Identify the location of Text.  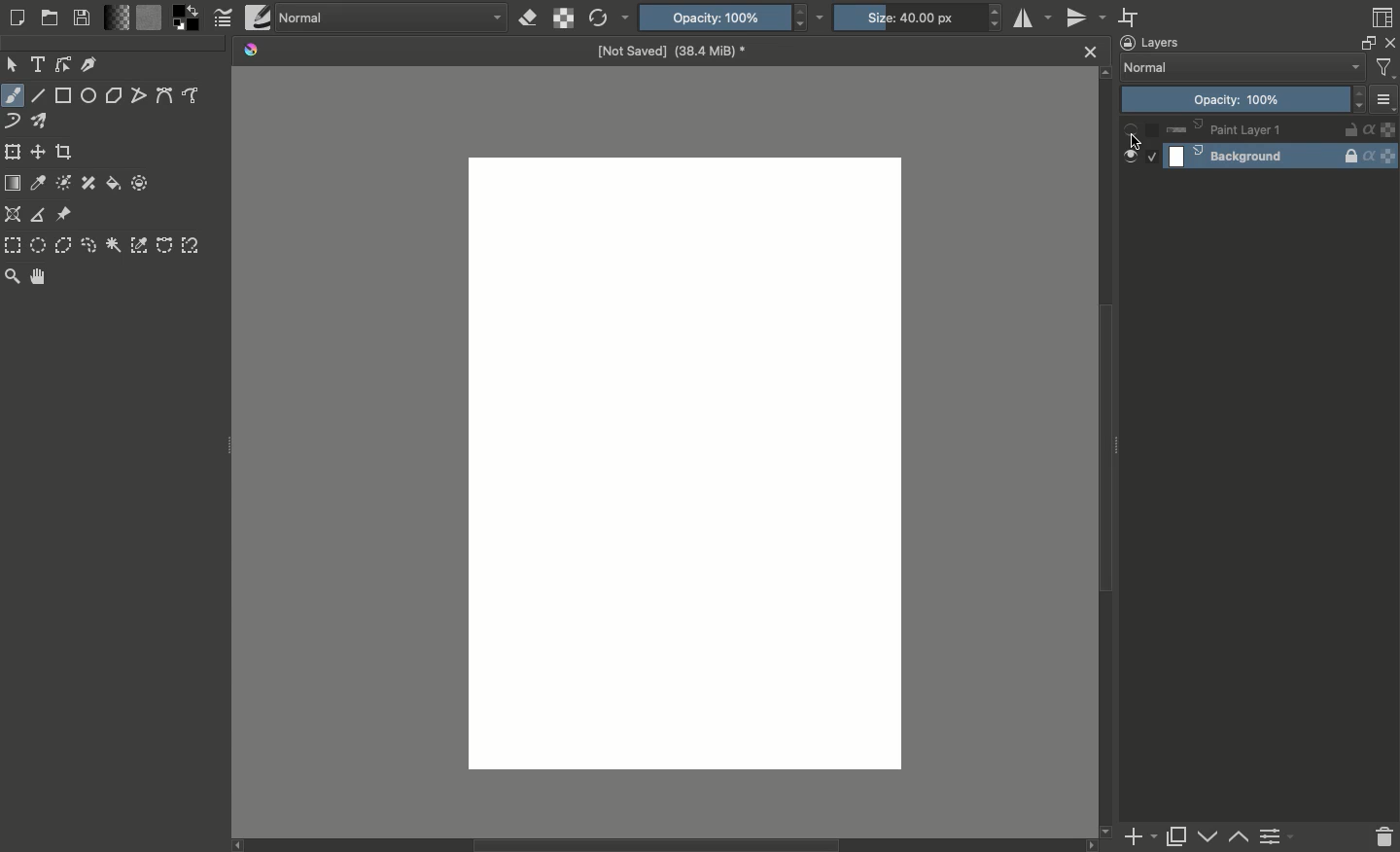
(40, 65).